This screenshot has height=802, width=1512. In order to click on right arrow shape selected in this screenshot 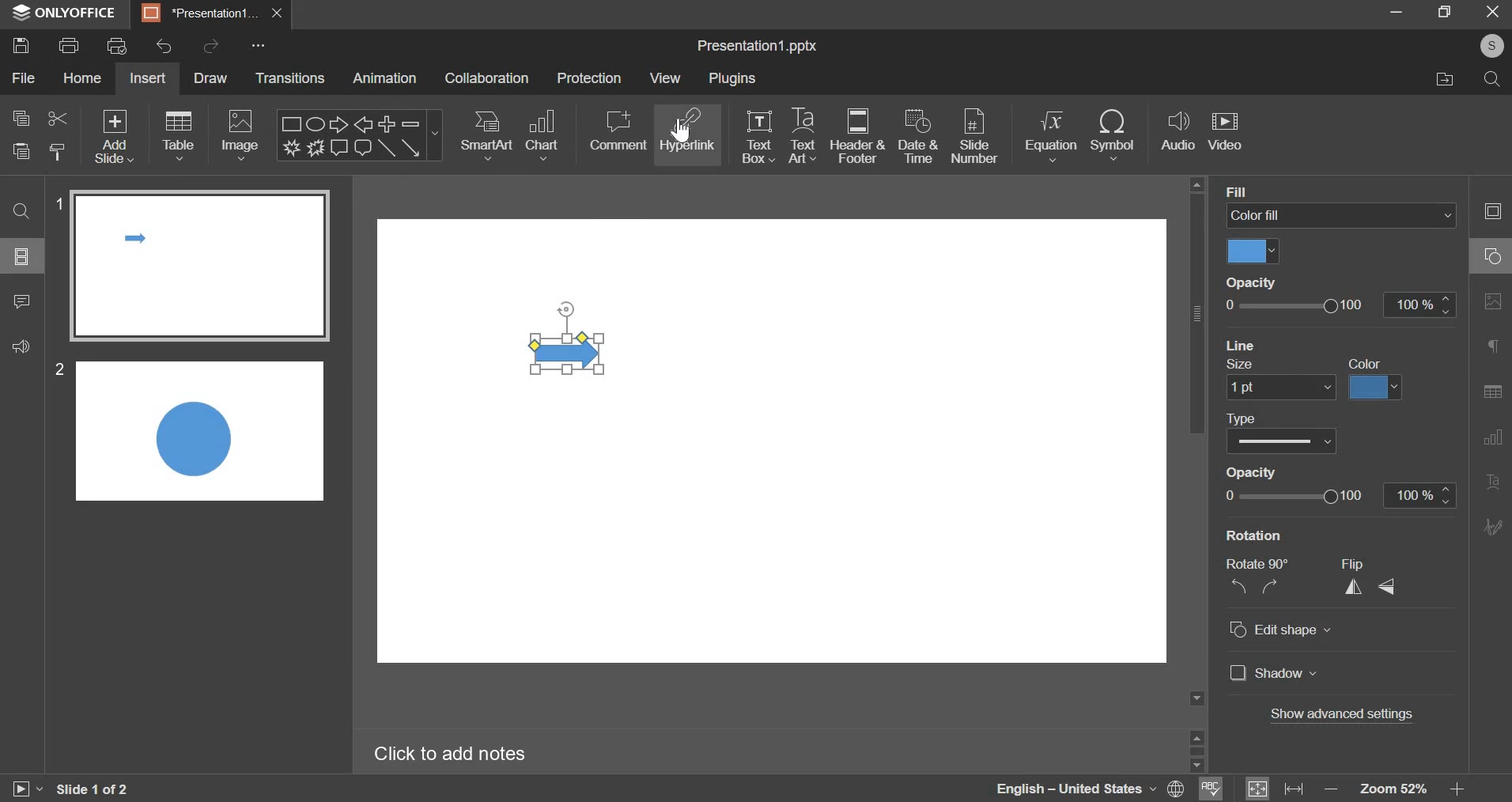, I will do `click(575, 338)`.